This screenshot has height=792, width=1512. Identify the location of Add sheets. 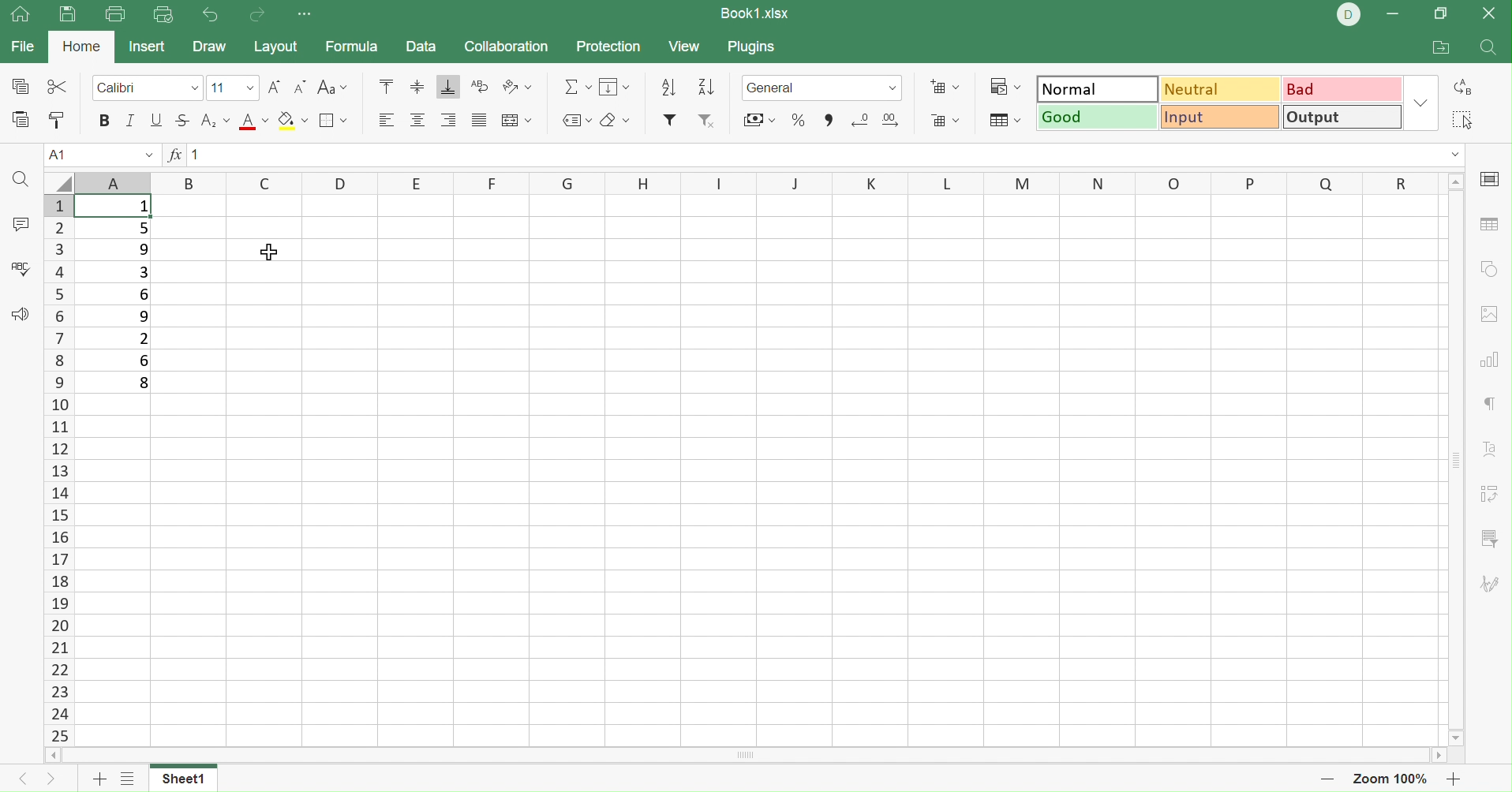
(129, 779).